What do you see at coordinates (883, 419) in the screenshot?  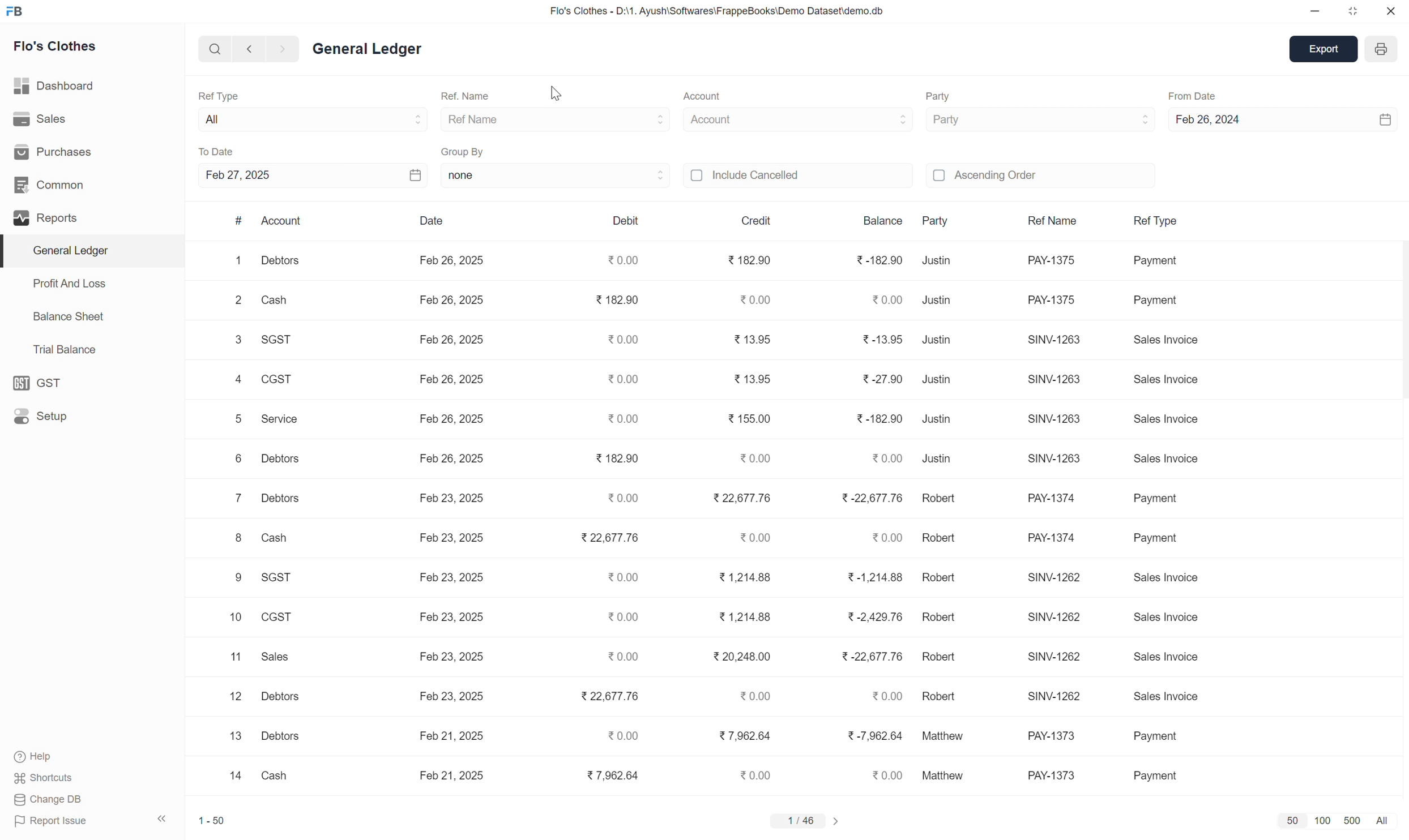 I see `182.90` at bounding box center [883, 419].